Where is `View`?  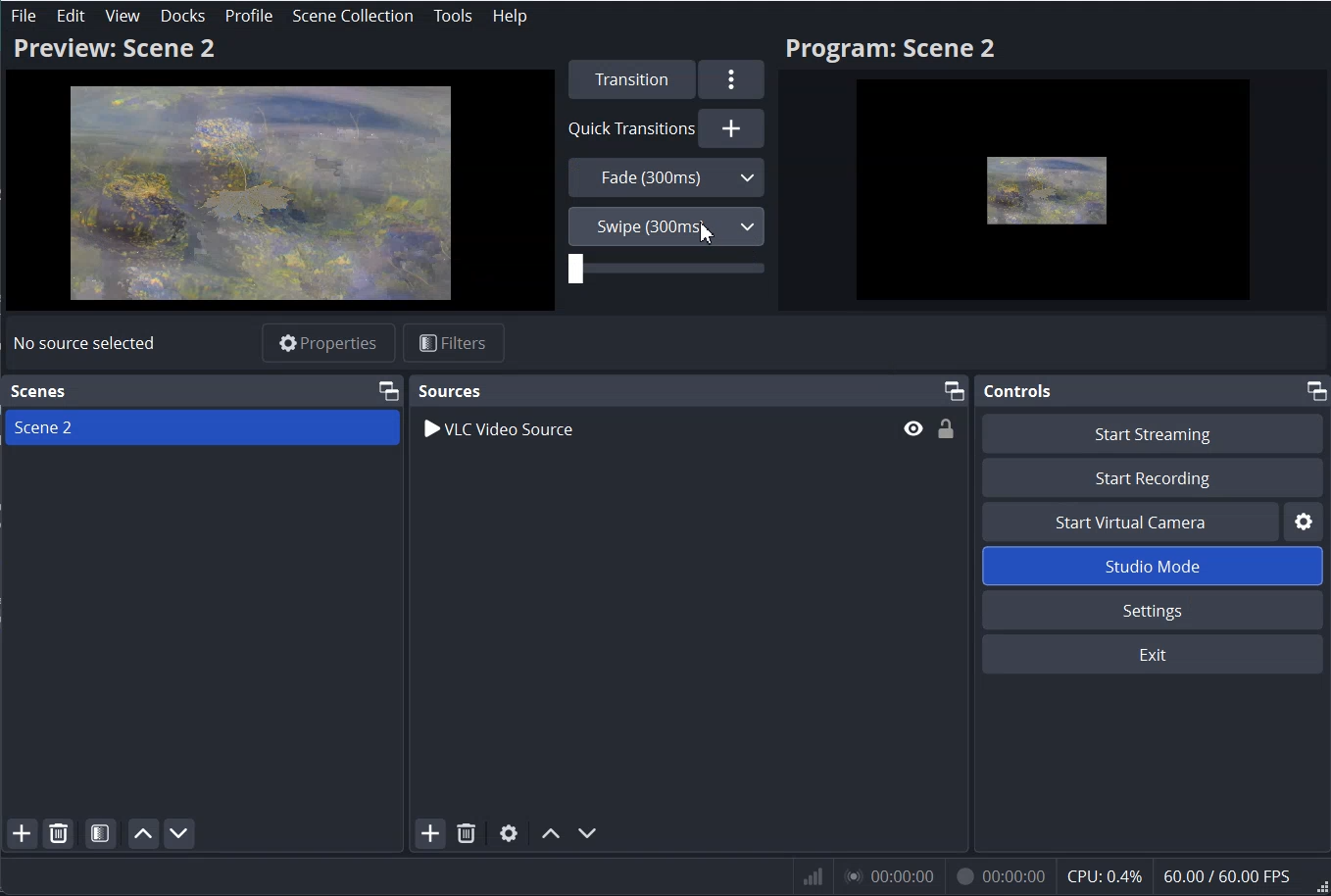 View is located at coordinates (122, 17).